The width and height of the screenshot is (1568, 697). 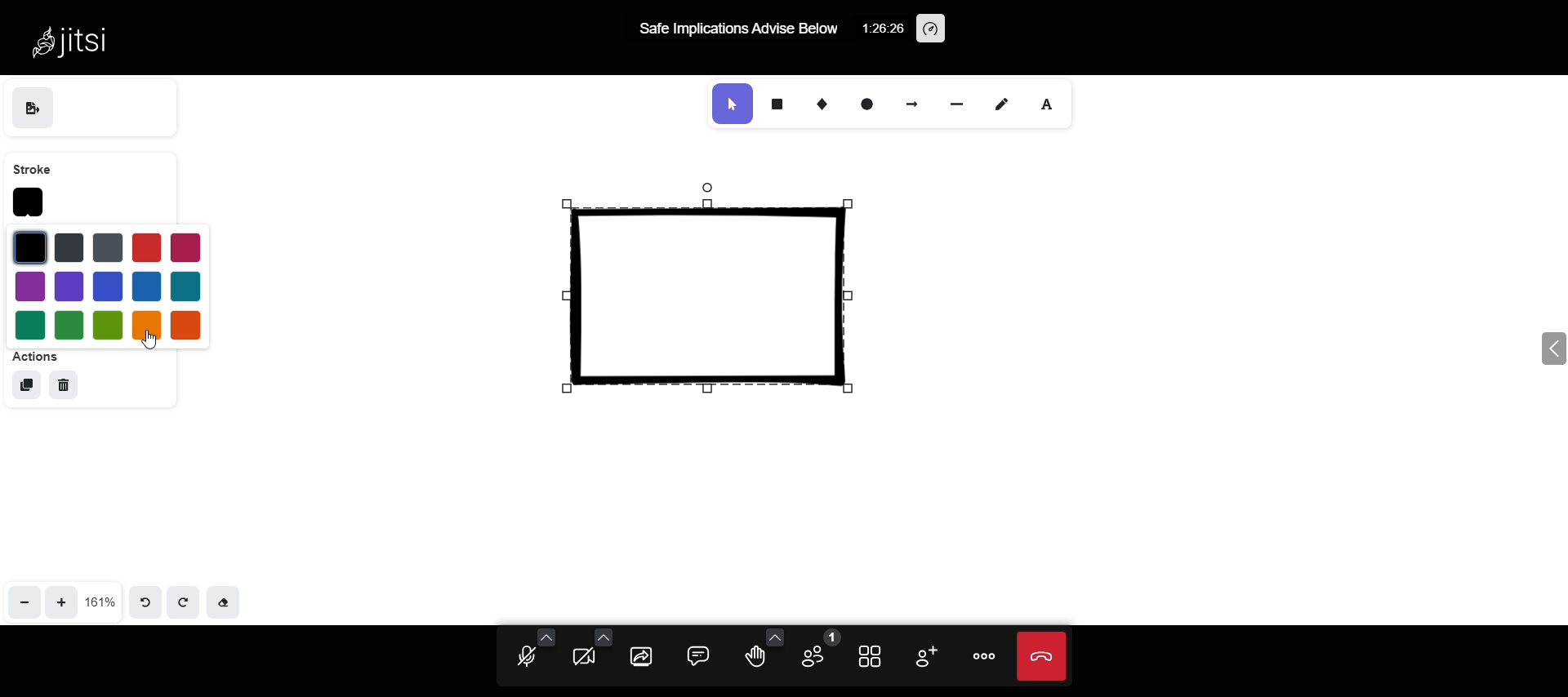 What do you see at coordinates (755, 660) in the screenshot?
I see `raise your hand` at bounding box center [755, 660].